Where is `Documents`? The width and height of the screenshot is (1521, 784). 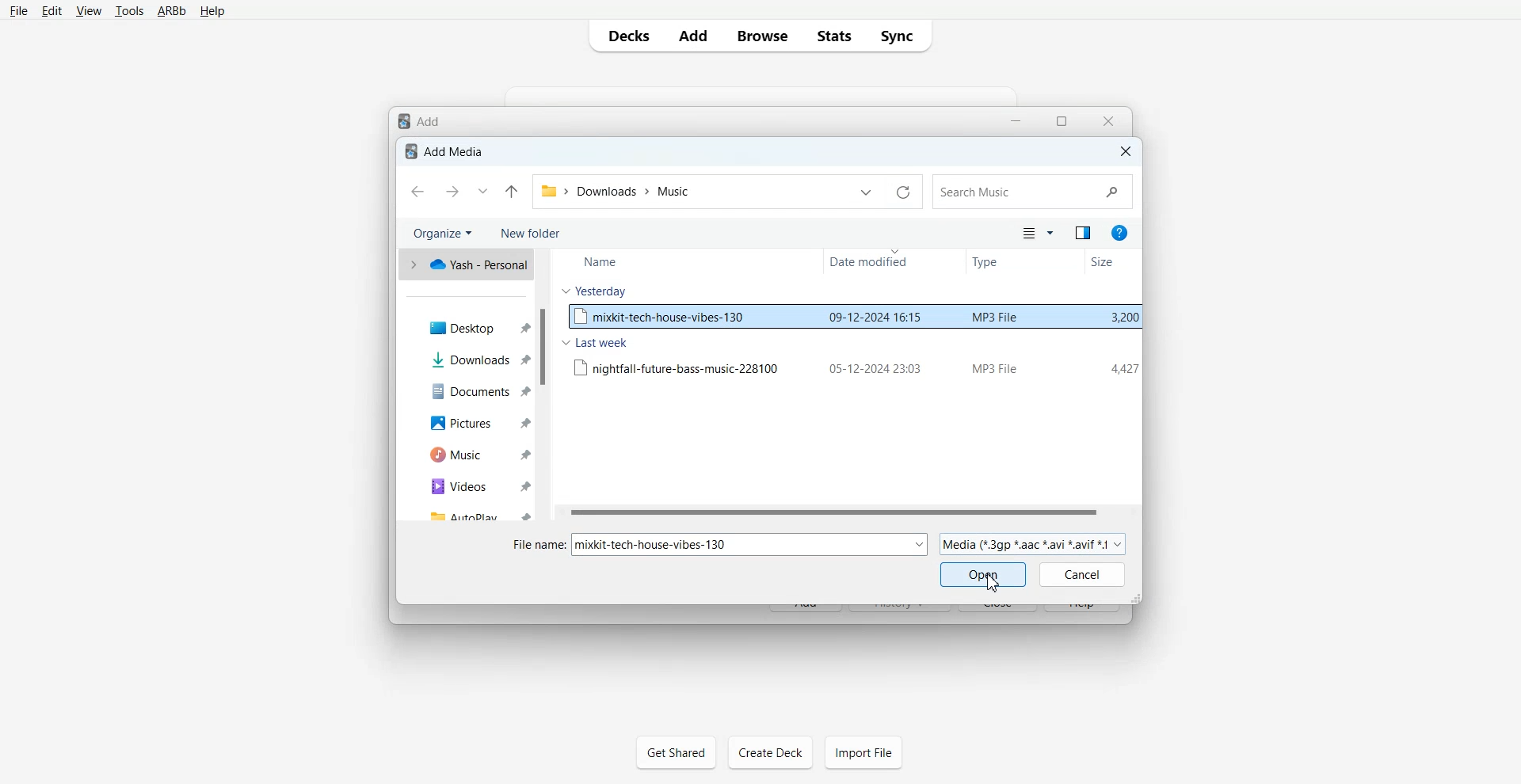 Documents is located at coordinates (478, 390).